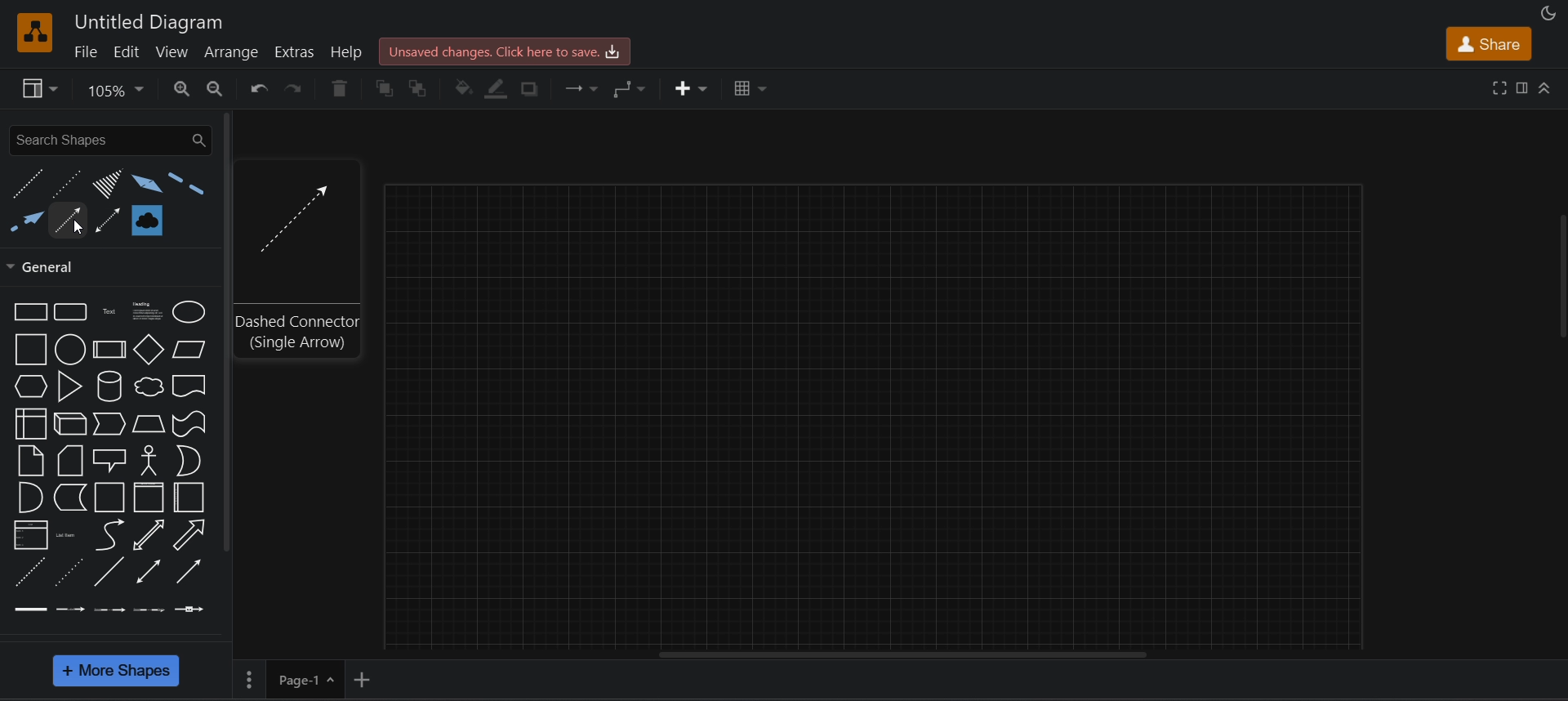  Describe the element at coordinates (118, 672) in the screenshot. I see `more shapes` at that location.